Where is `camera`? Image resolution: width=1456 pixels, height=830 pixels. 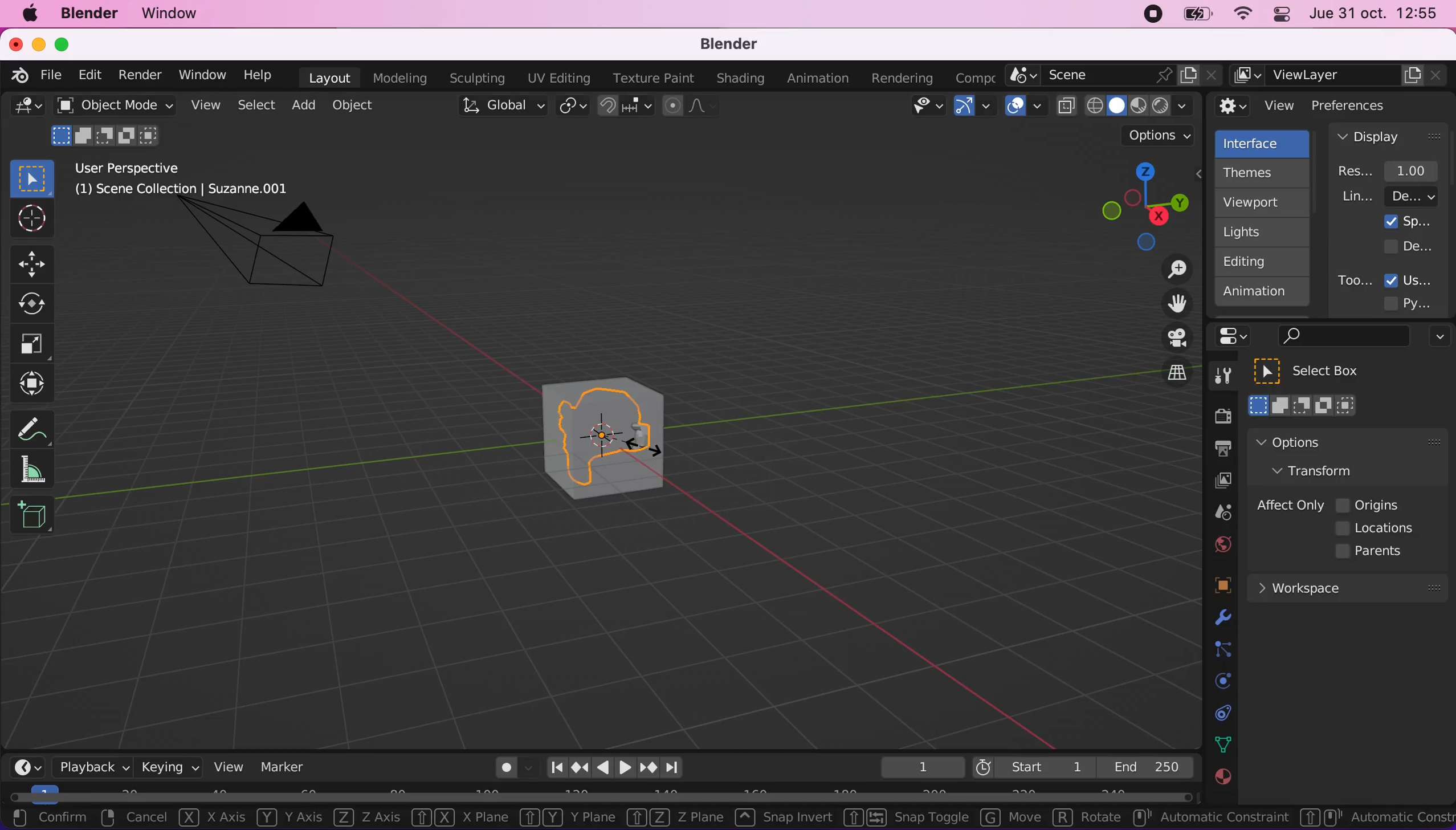
camera is located at coordinates (272, 255).